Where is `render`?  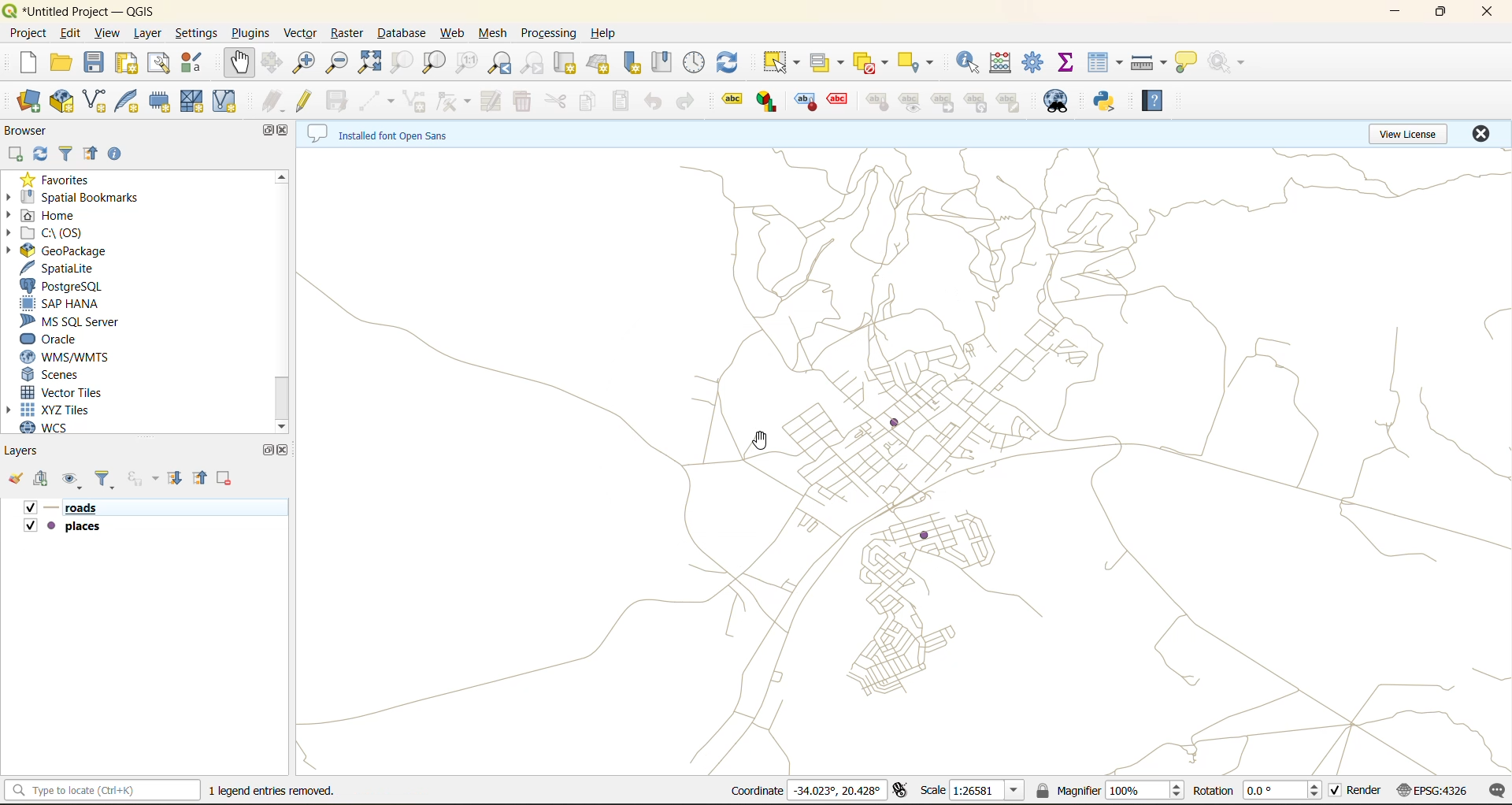 render is located at coordinates (1362, 792).